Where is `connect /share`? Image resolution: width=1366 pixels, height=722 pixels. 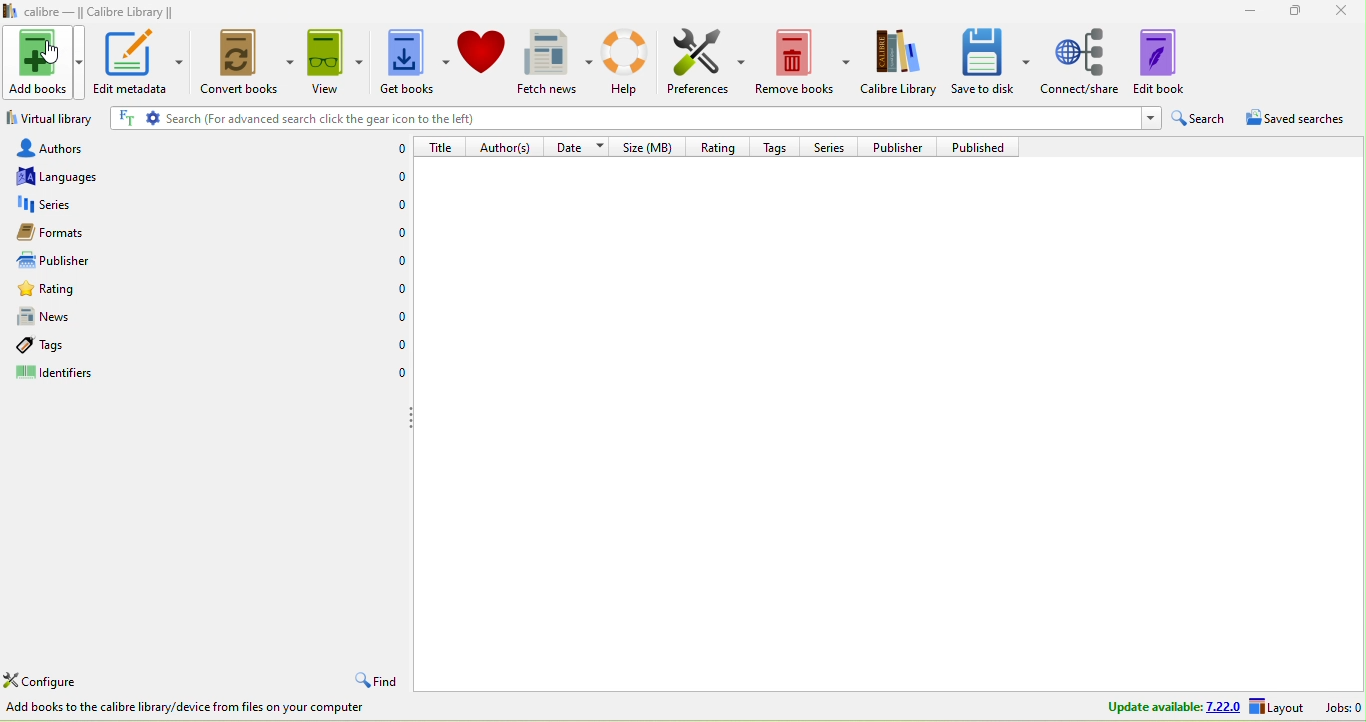
connect /share is located at coordinates (1081, 62).